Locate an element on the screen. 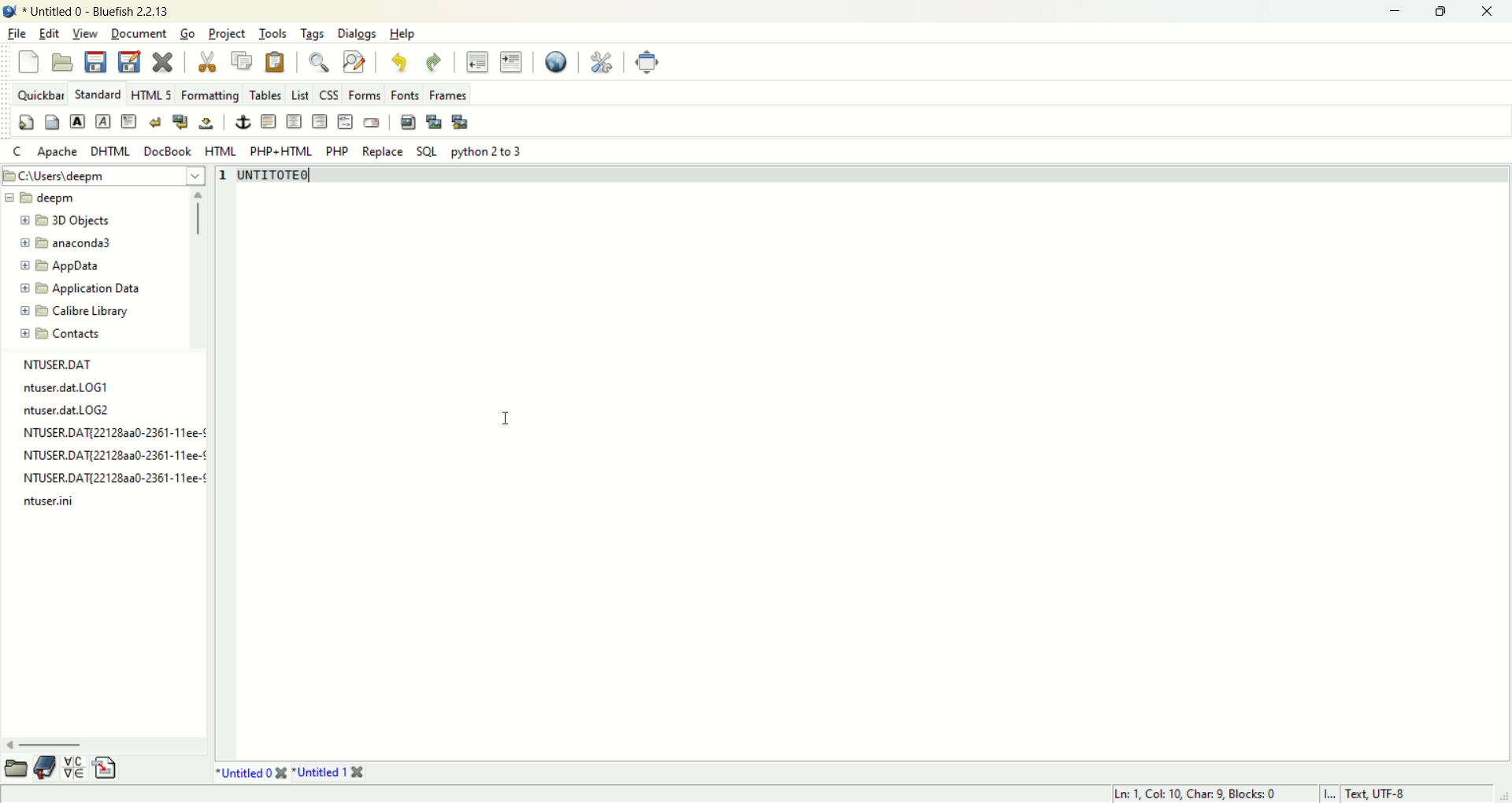 The width and height of the screenshot is (1512, 803). file is located at coordinates (17, 34).